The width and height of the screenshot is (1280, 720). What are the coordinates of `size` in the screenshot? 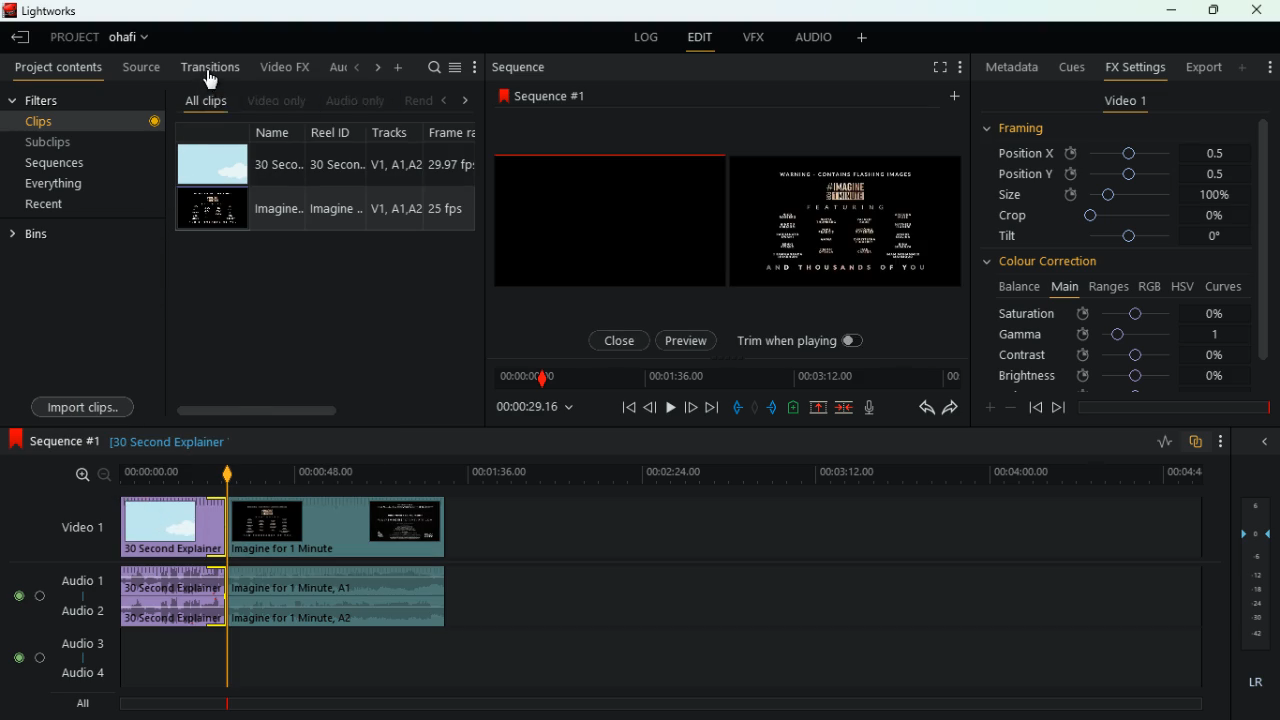 It's located at (1115, 194).